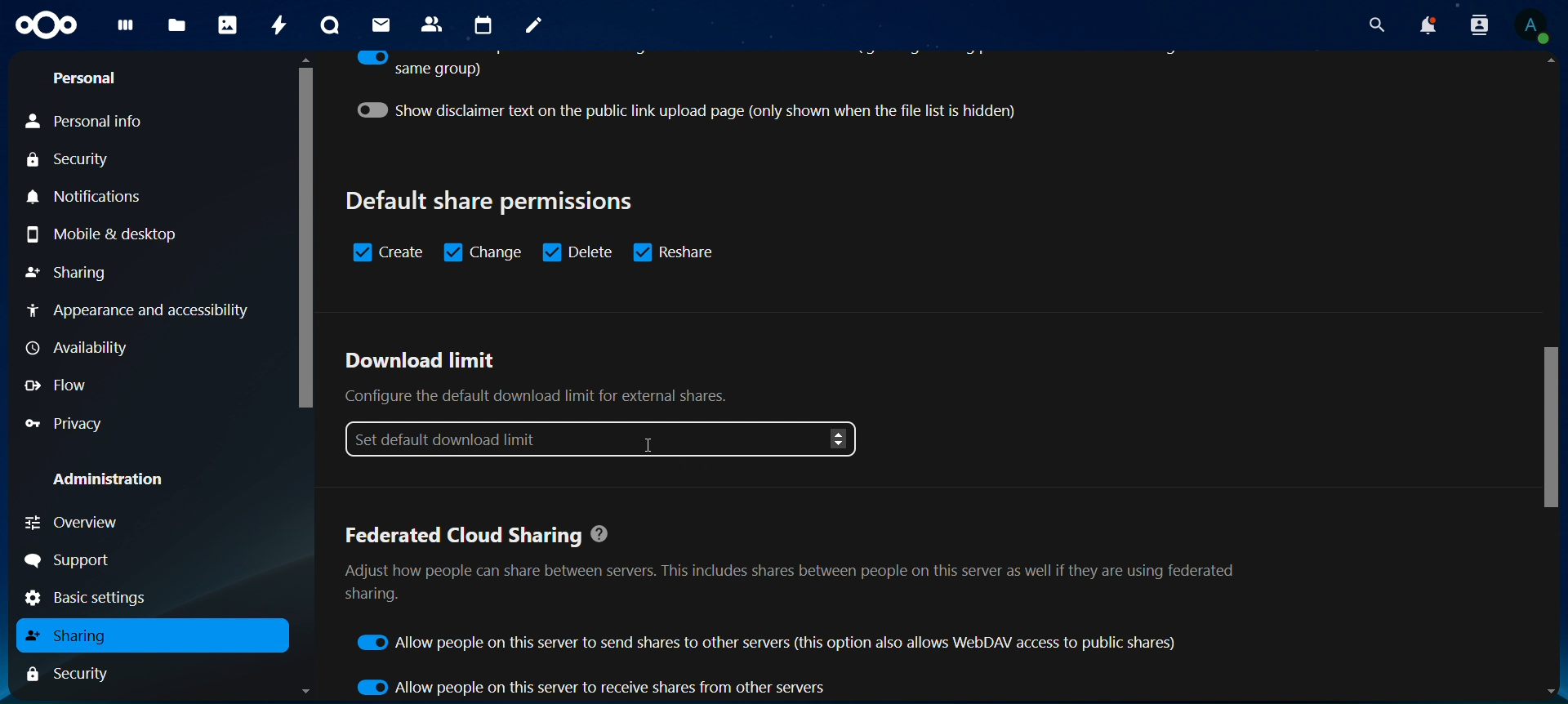 The width and height of the screenshot is (1568, 704). What do you see at coordinates (69, 160) in the screenshot?
I see `security` at bounding box center [69, 160].